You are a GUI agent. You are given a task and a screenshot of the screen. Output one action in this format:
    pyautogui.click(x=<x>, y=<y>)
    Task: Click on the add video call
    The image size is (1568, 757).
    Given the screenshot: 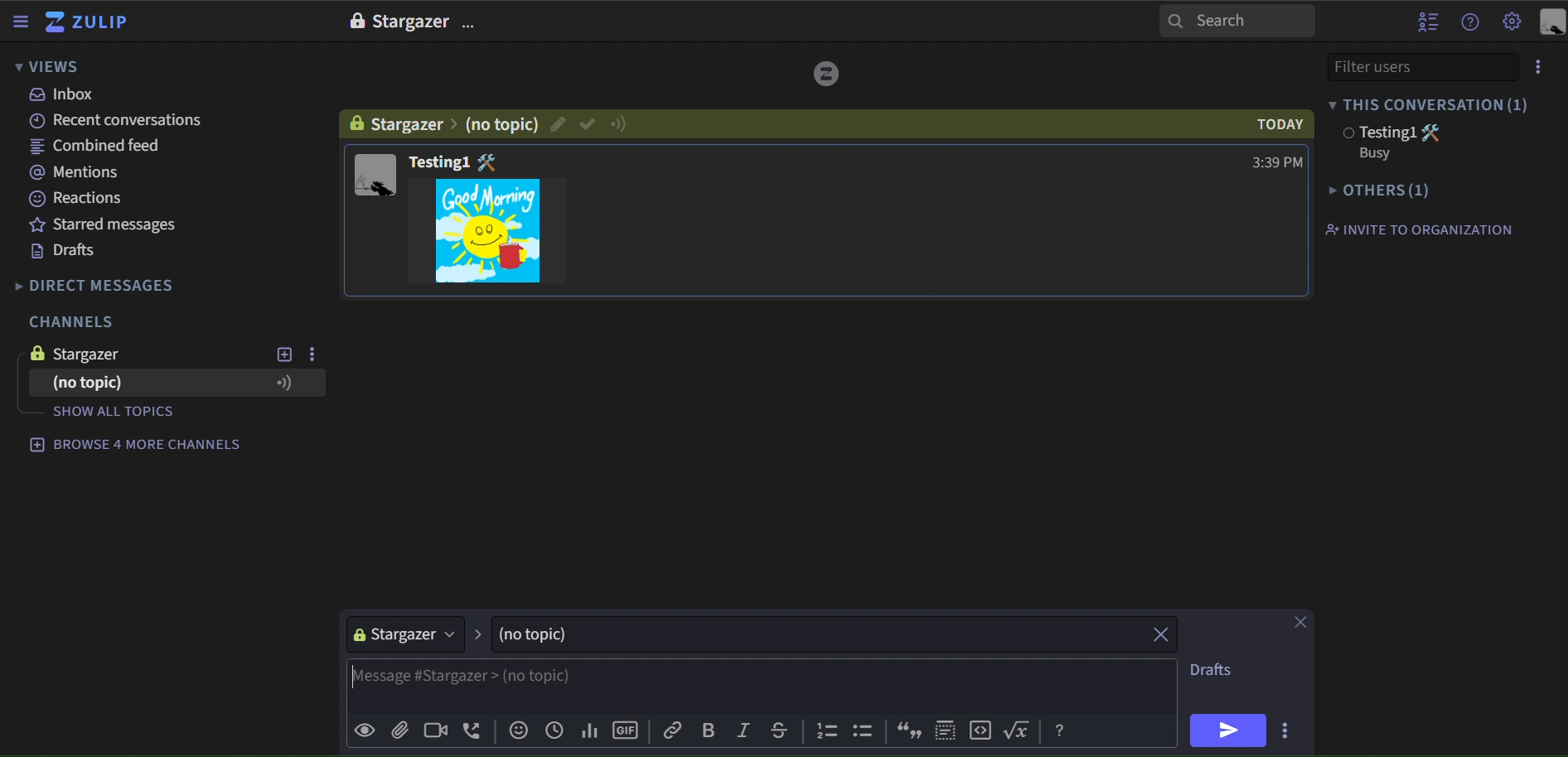 What is the action you would take?
    pyautogui.click(x=432, y=731)
    